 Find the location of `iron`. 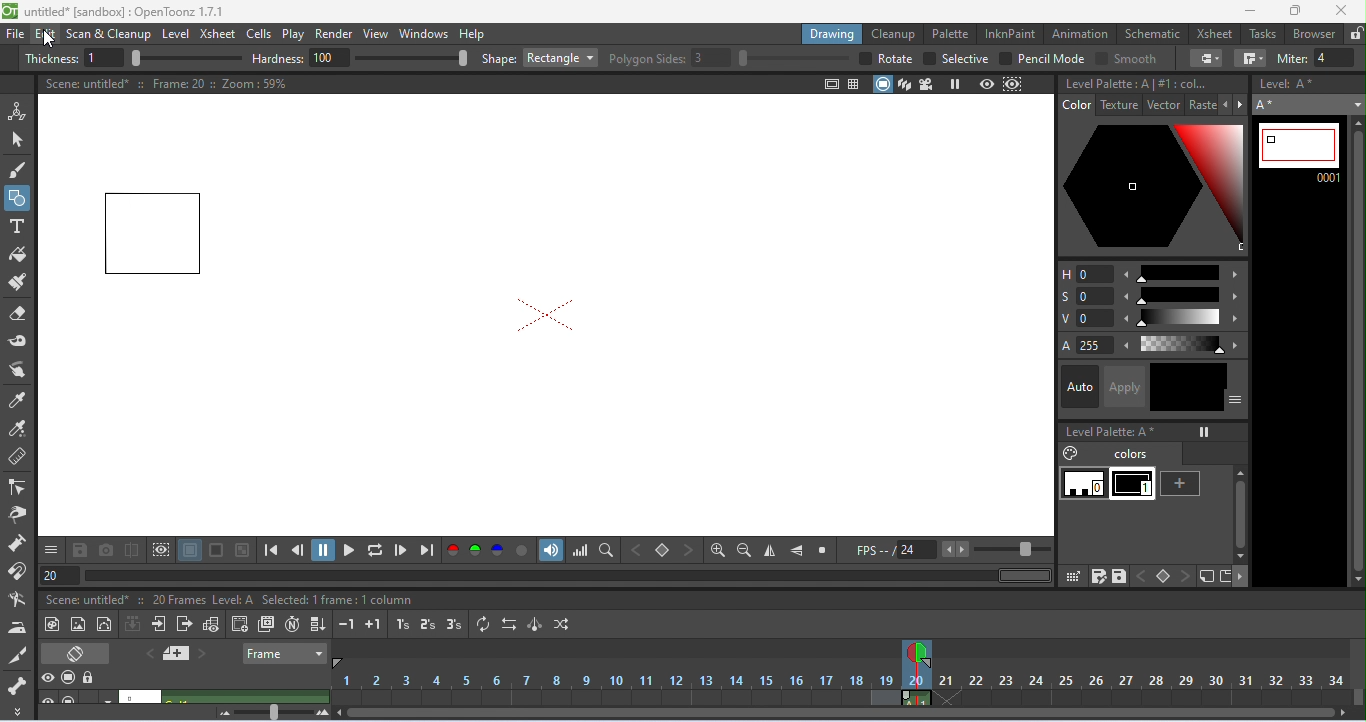

iron is located at coordinates (17, 627).